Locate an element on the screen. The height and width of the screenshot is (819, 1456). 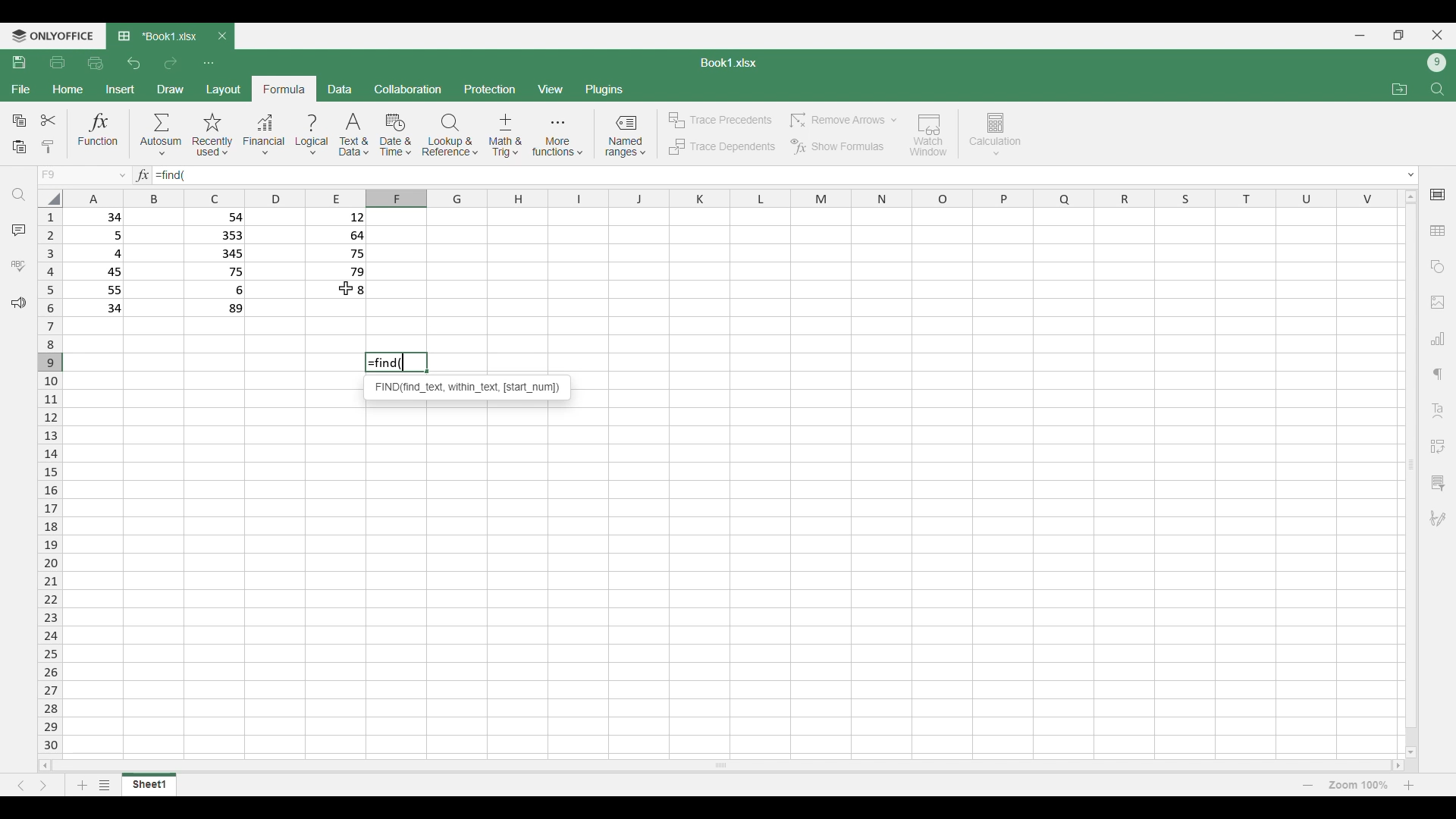
Indicates rows is located at coordinates (50, 479).